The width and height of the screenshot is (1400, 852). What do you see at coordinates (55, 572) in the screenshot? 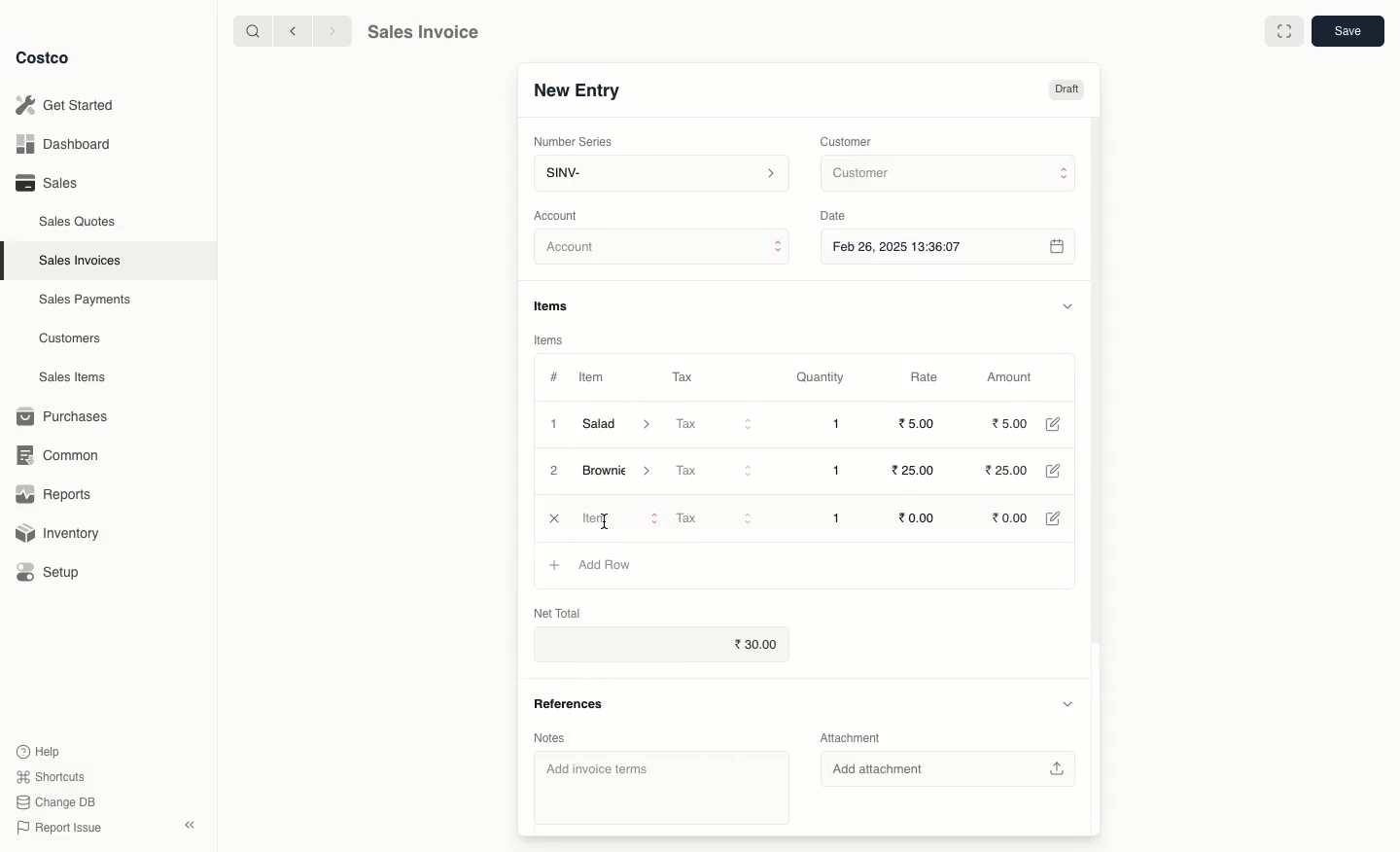
I see `Setup` at bounding box center [55, 572].